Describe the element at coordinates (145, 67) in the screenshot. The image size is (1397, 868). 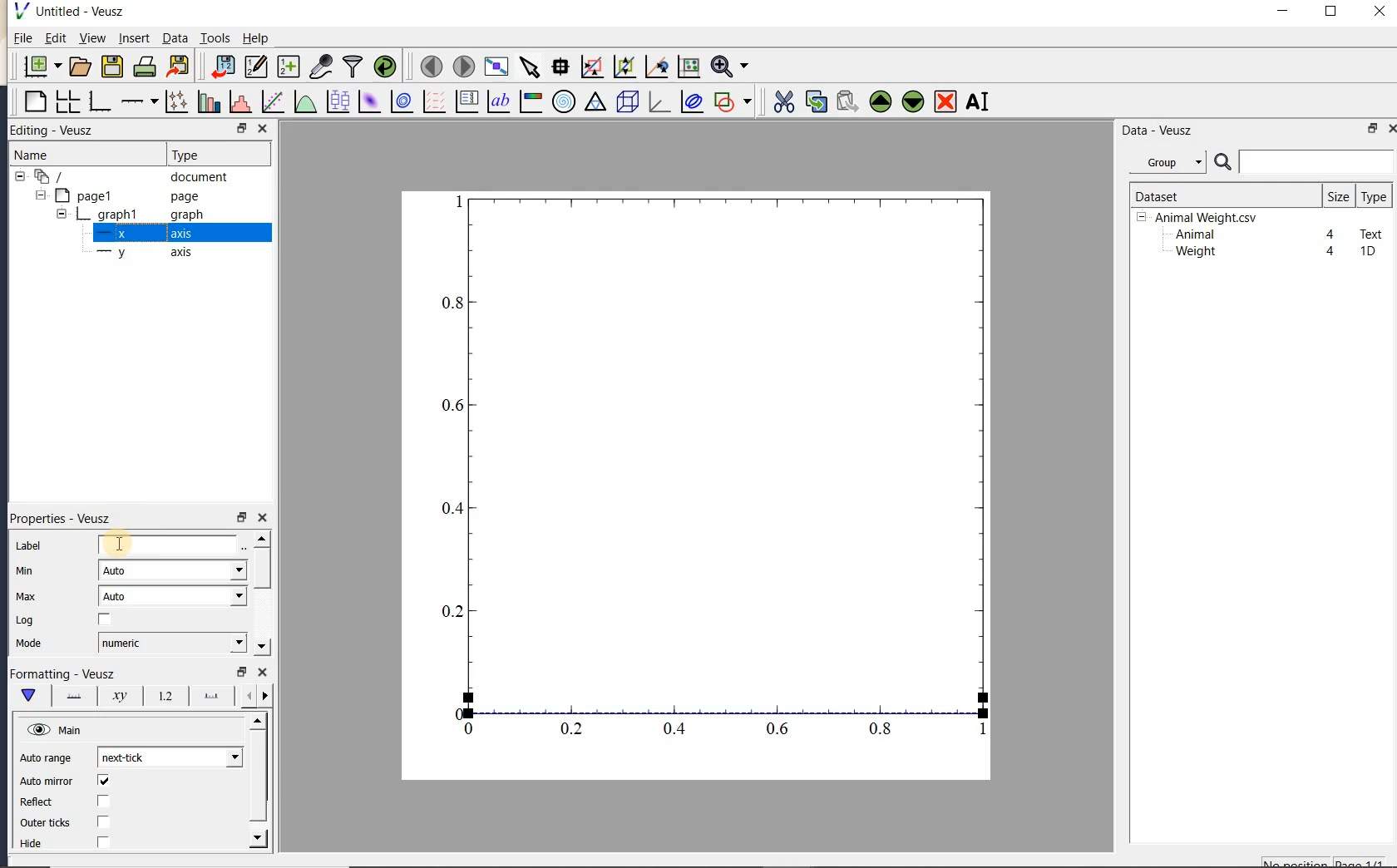
I see `print the document` at that location.